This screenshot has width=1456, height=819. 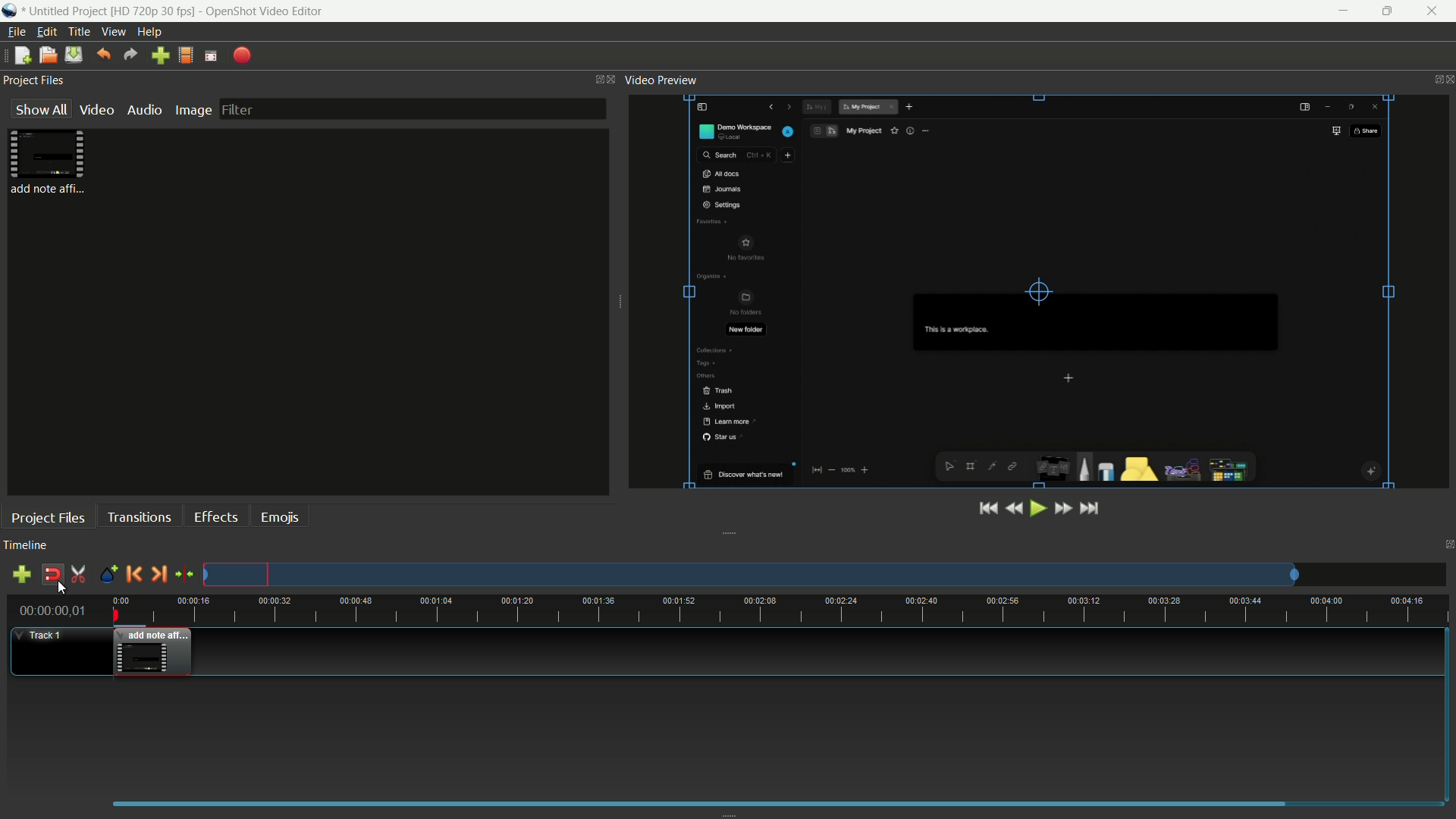 What do you see at coordinates (594, 80) in the screenshot?
I see `change layout` at bounding box center [594, 80].